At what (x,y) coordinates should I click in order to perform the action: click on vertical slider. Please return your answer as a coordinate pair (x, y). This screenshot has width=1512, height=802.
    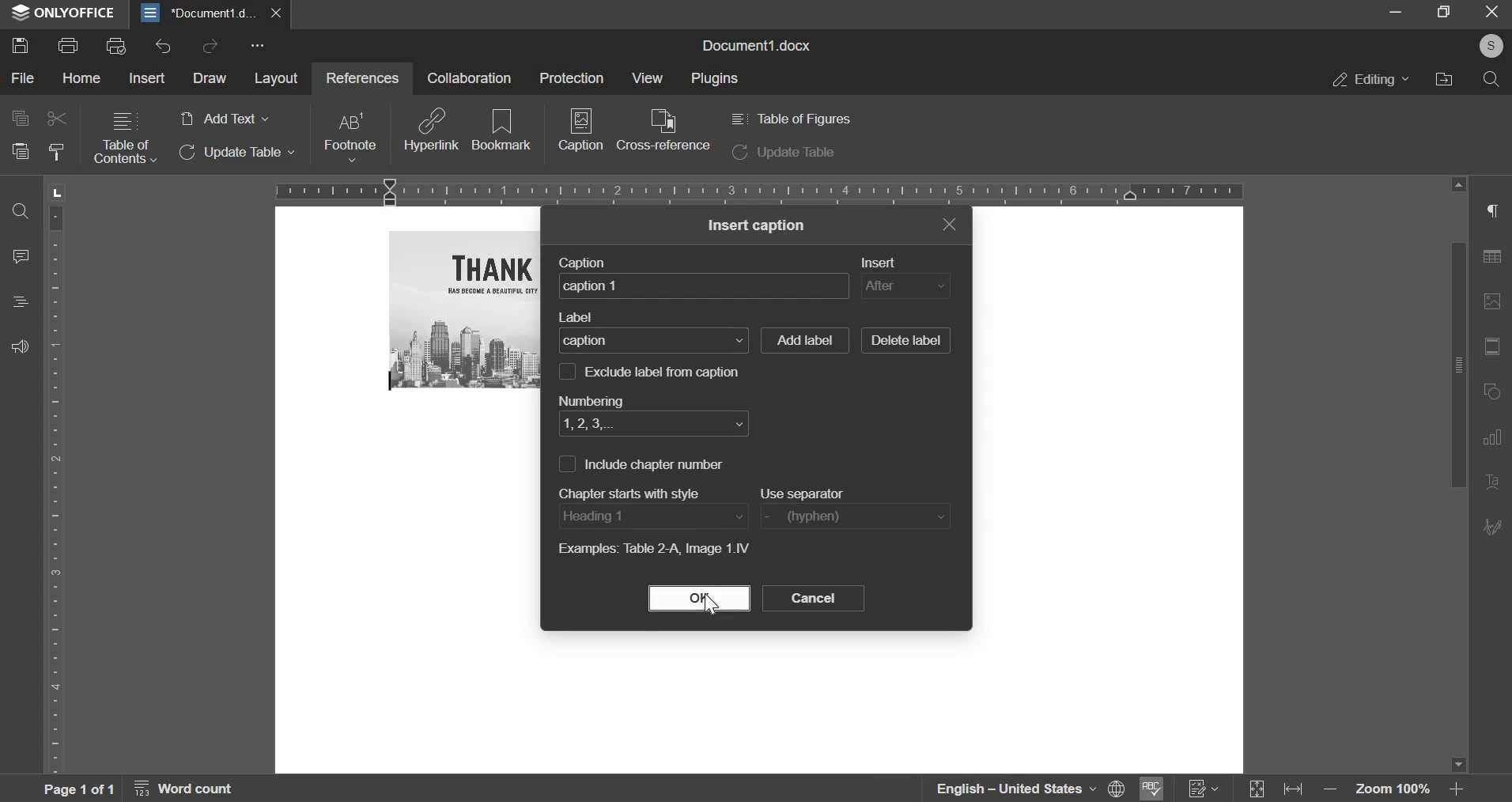
    Looking at the image, I should click on (1457, 475).